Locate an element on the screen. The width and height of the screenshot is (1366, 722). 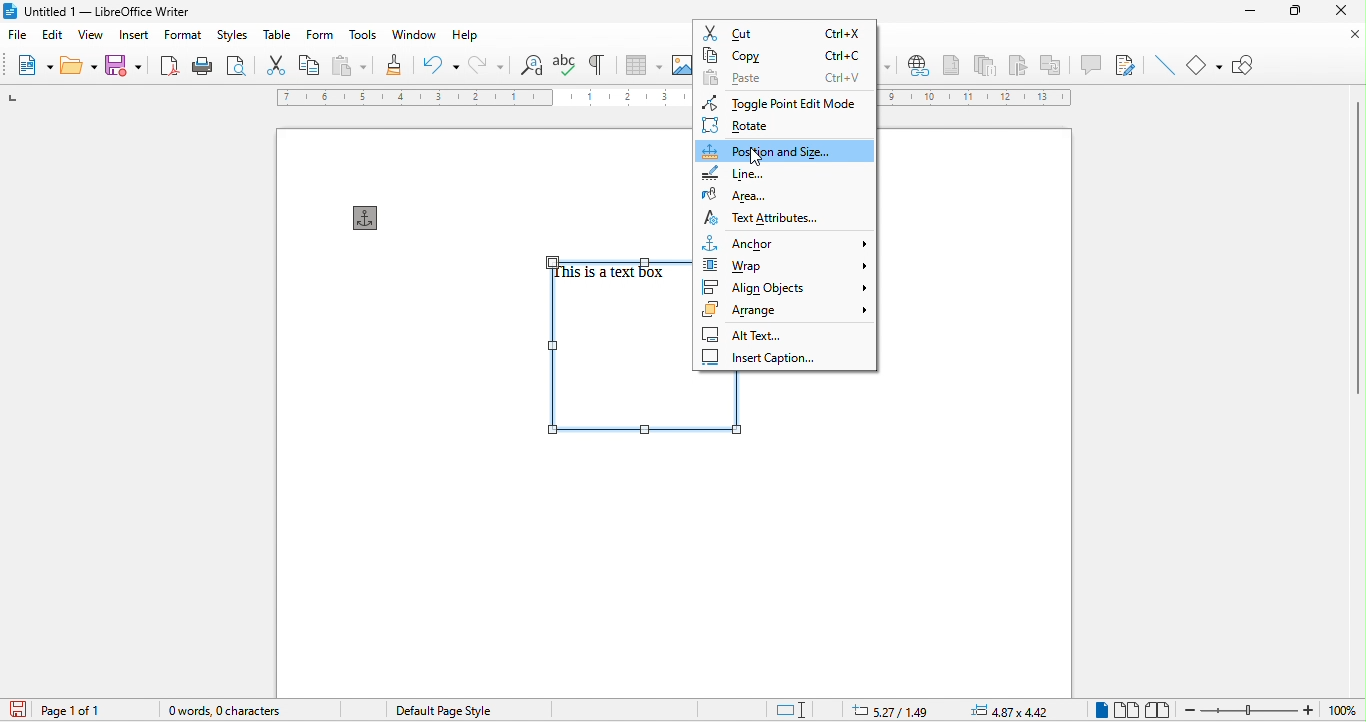
tools is located at coordinates (360, 36).